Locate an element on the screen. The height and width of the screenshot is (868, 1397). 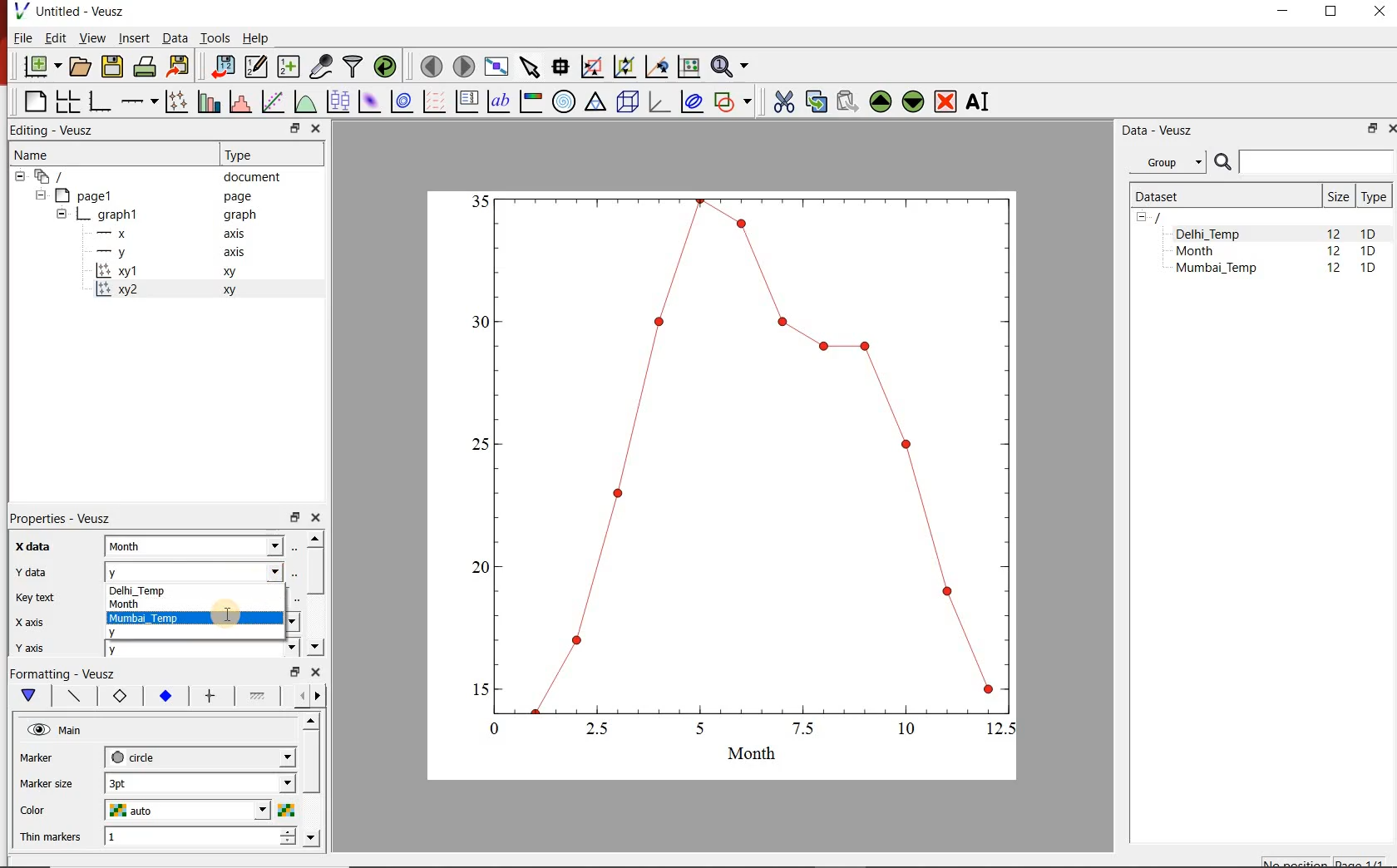
arrange graphs in a grid is located at coordinates (67, 101).